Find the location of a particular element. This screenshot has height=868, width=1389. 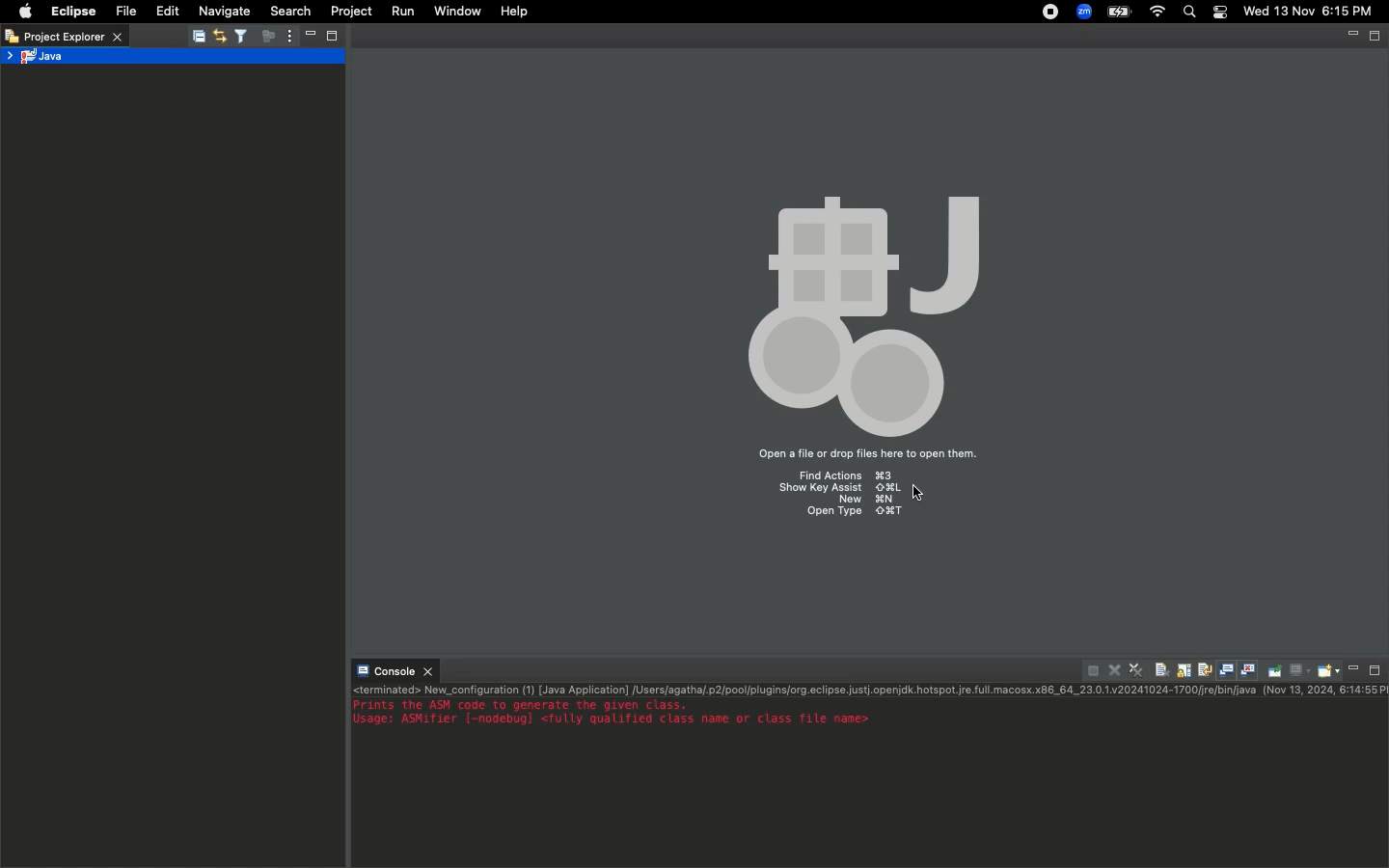

Window is located at coordinates (454, 13).